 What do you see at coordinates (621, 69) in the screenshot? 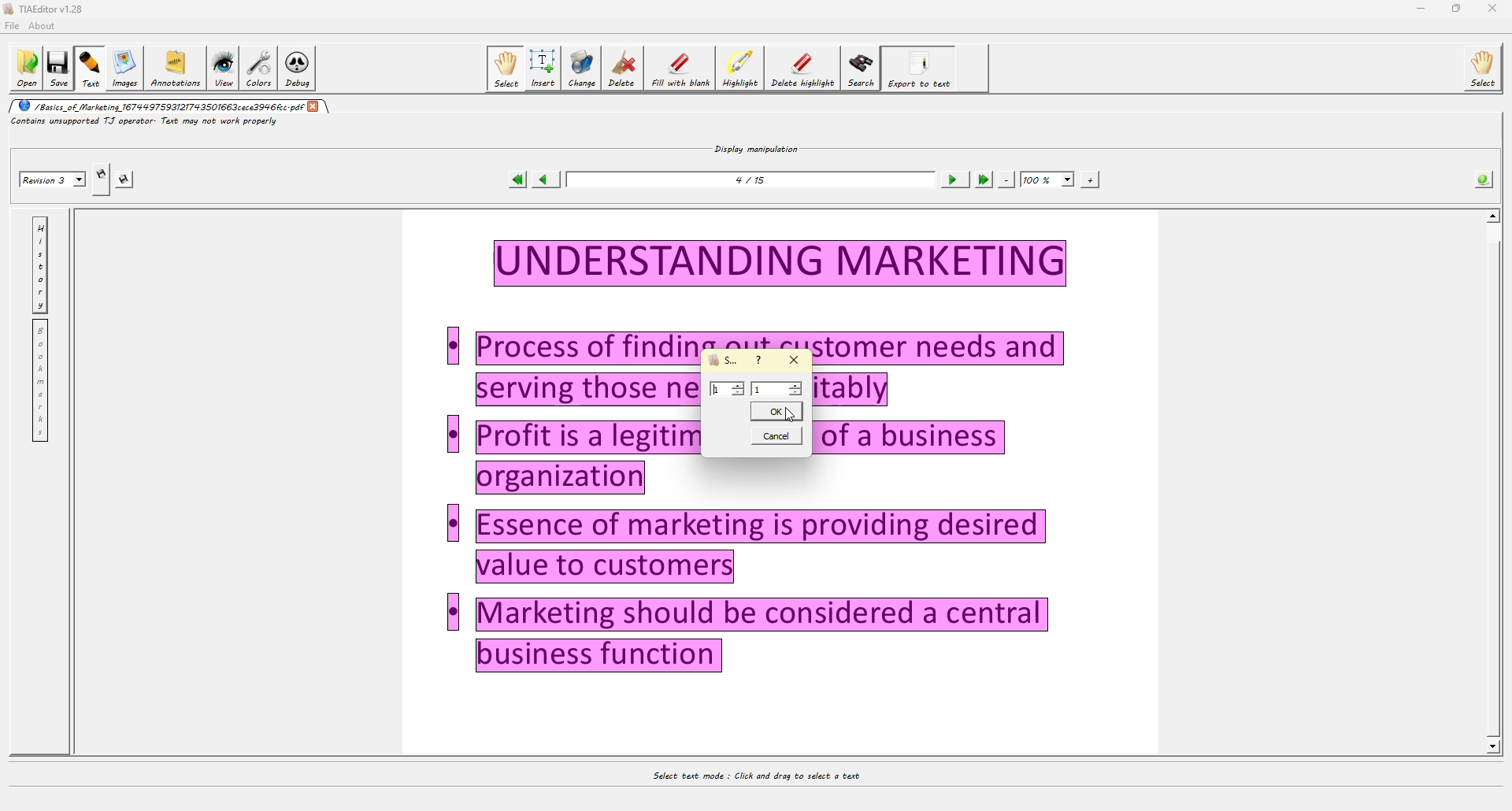
I see `delete` at bounding box center [621, 69].